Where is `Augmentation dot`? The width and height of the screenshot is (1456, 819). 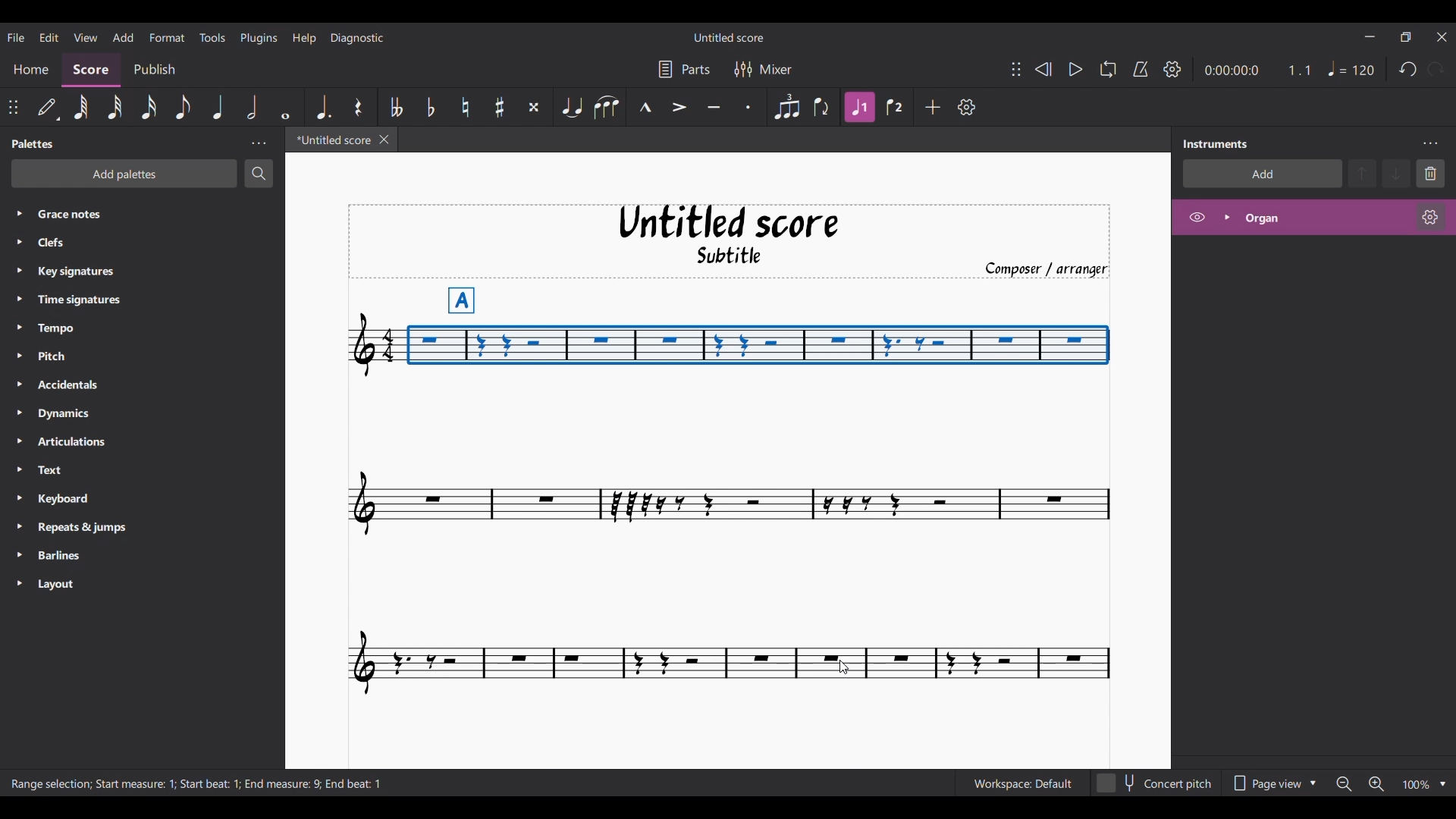
Augmentation dot is located at coordinates (323, 106).